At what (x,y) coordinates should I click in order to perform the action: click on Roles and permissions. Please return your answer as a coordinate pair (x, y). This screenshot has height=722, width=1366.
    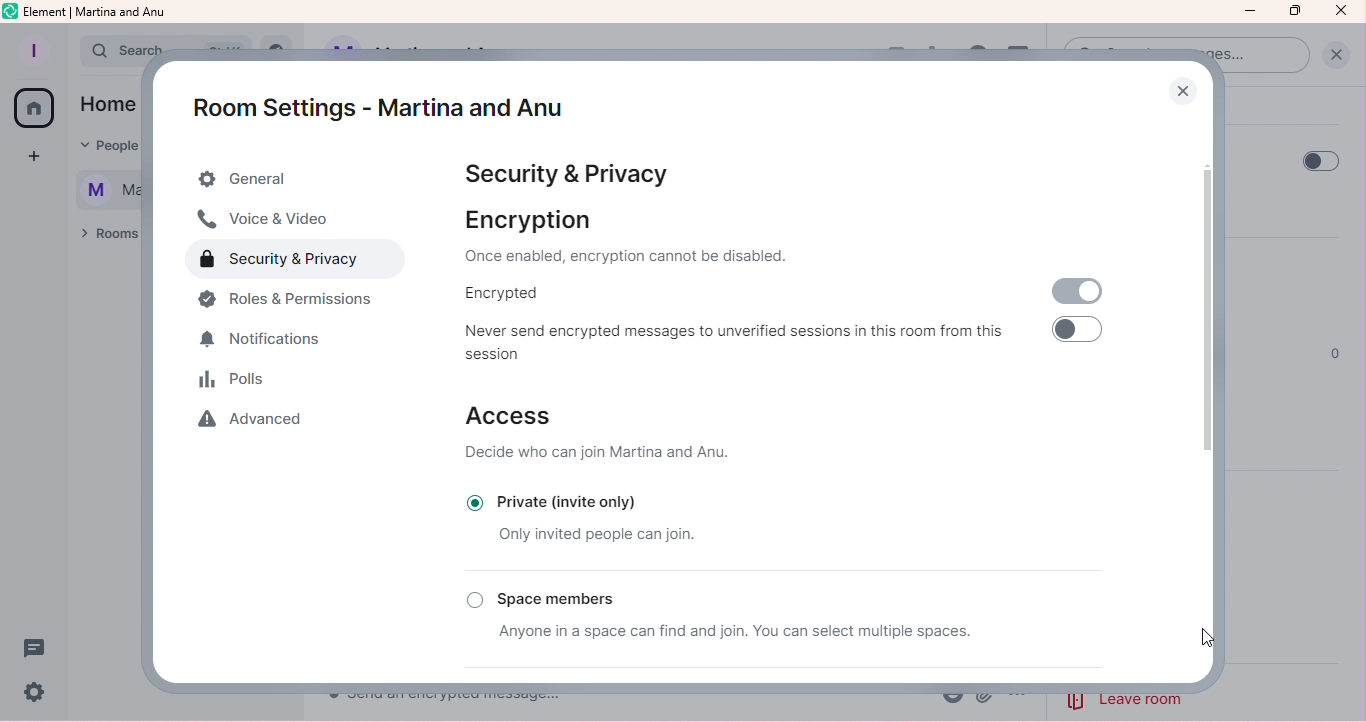
    Looking at the image, I should click on (294, 302).